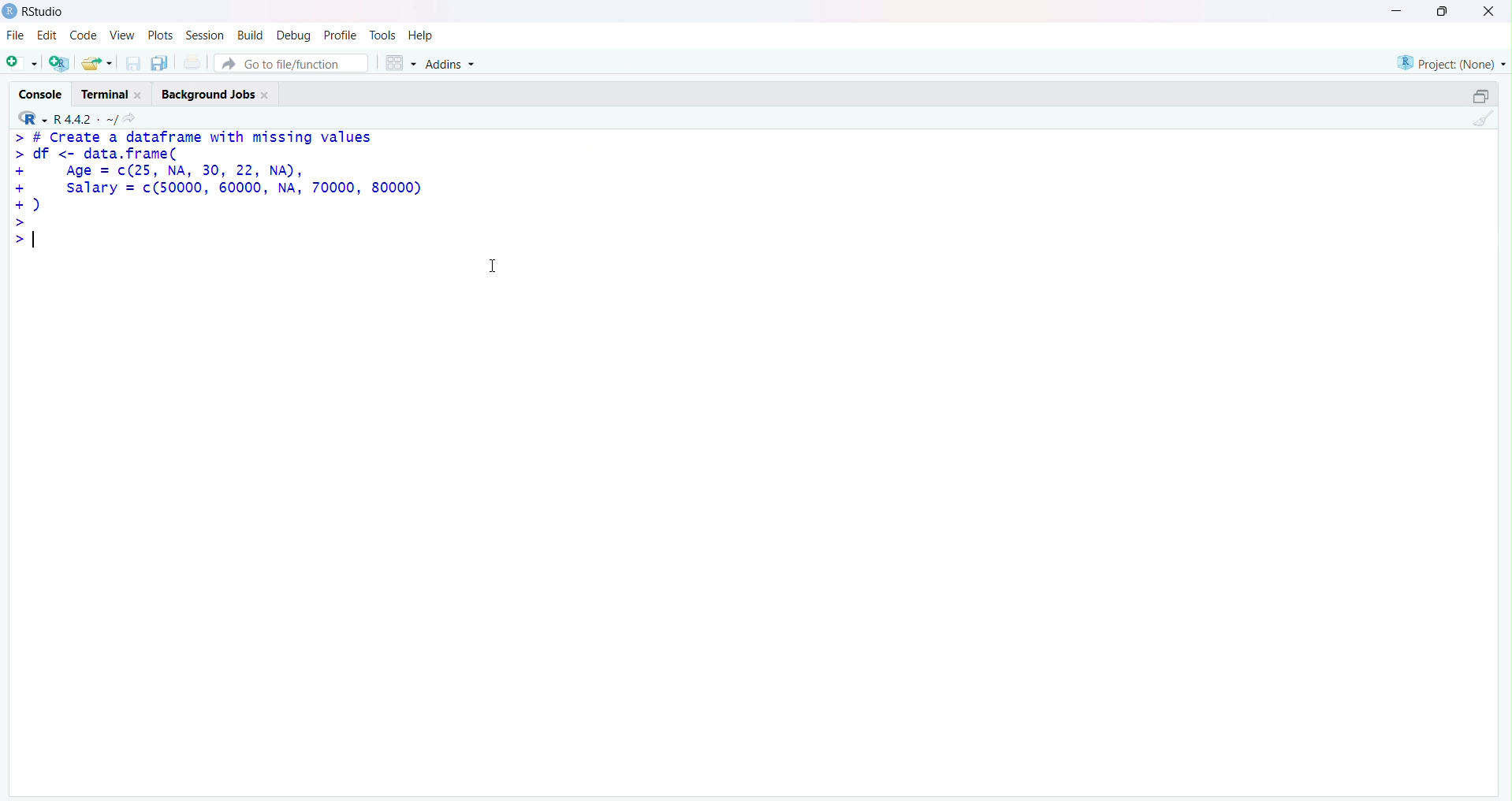 The image size is (1512, 801). What do you see at coordinates (229, 206) in the screenshot?
I see `> # Create a dataframe with missing values

> df <- data.frame(

+ Age = c(25, NA, 30, 22, NA),

+ salary = c(50000, 60000, NA, 70000, 80000)
+)

>

>|` at bounding box center [229, 206].